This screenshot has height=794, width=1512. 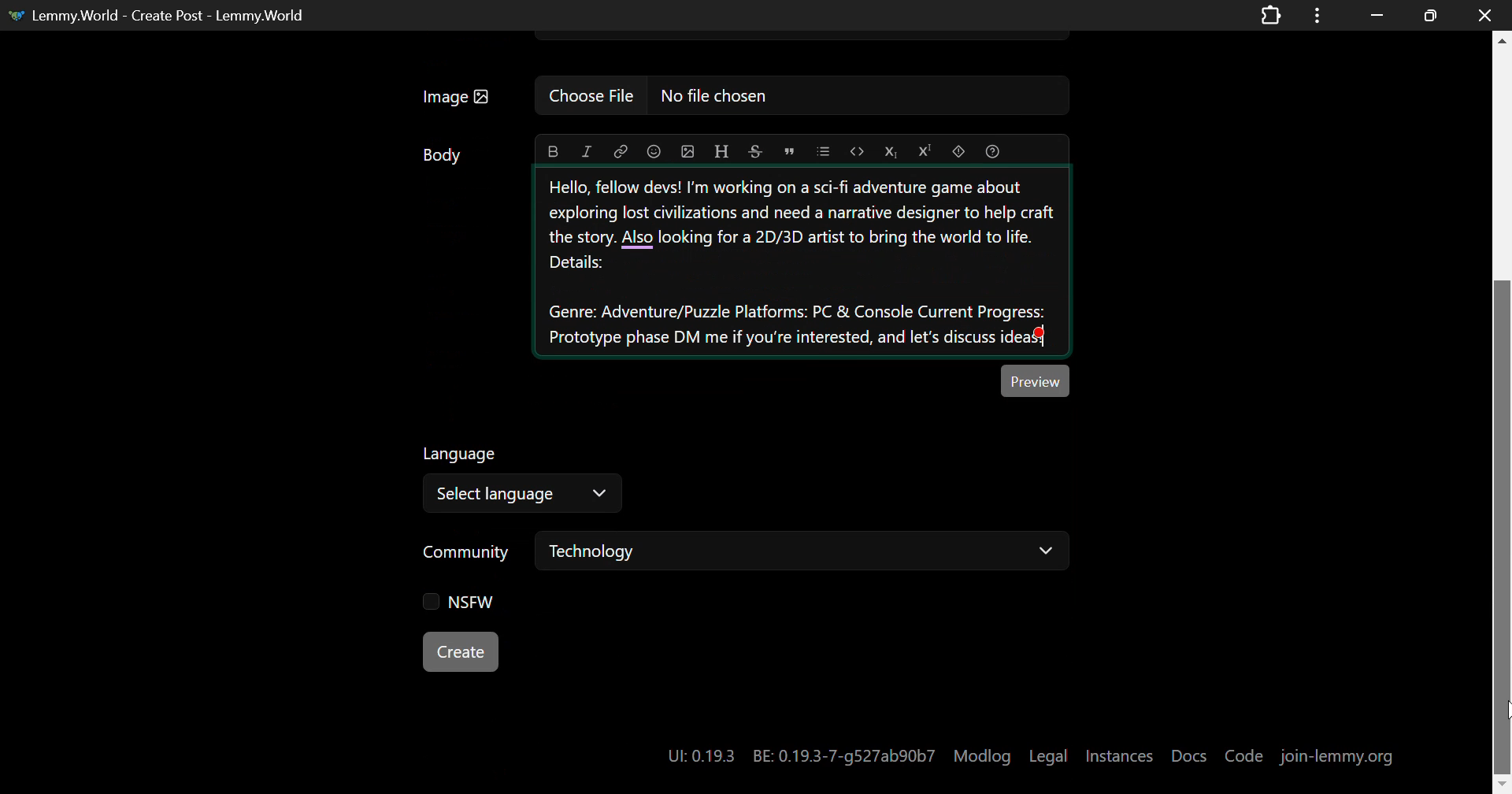 I want to click on Modlog, so click(x=983, y=755).